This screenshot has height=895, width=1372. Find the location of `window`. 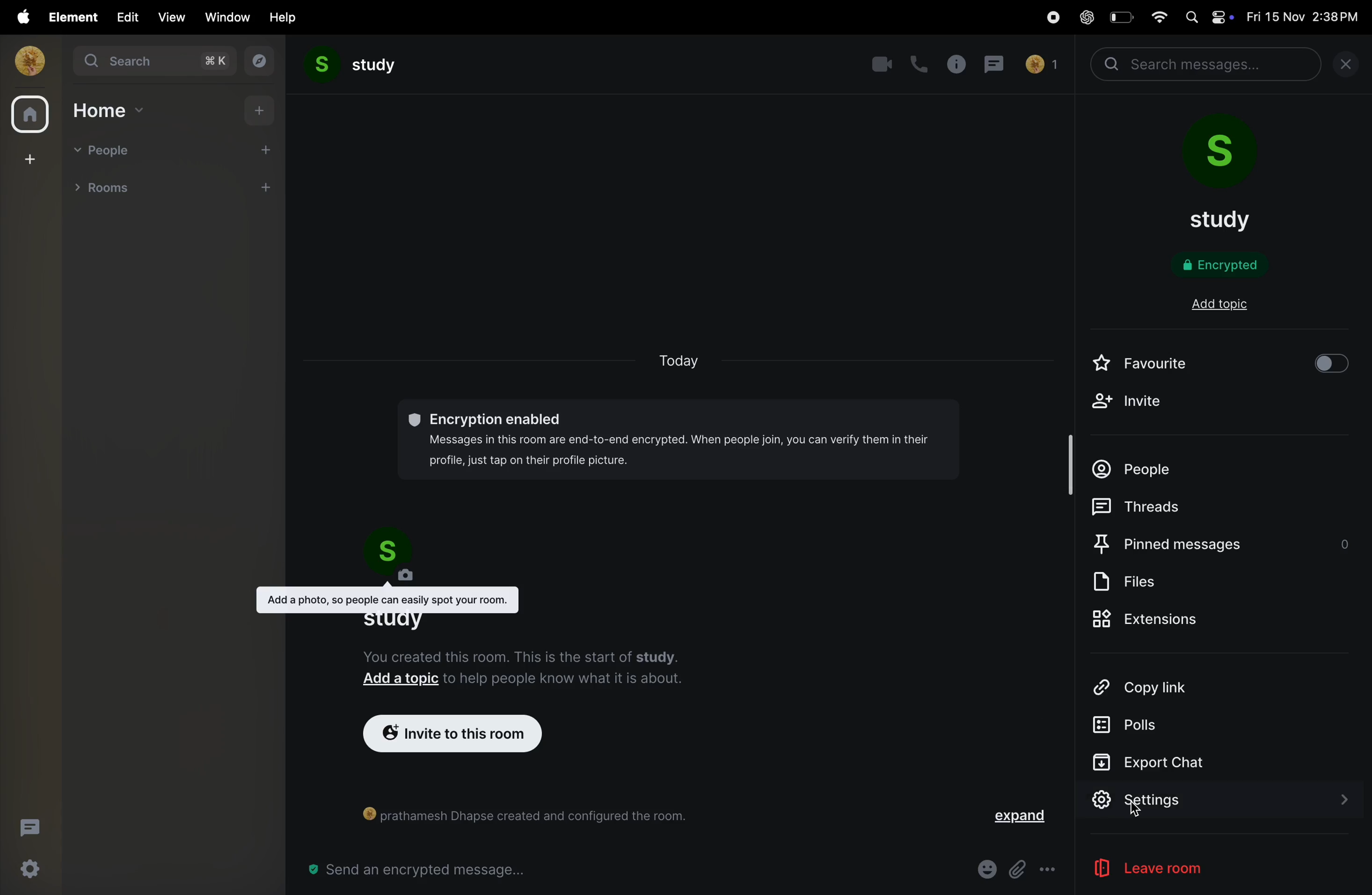

window is located at coordinates (228, 17).